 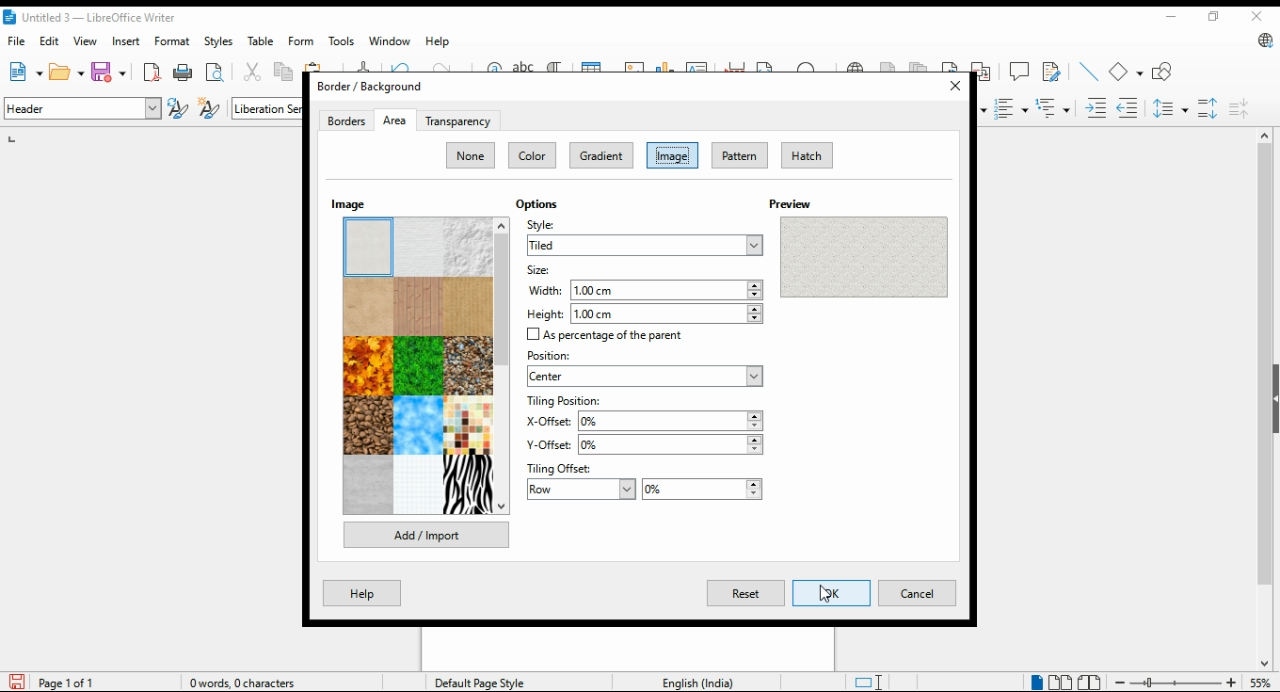 I want to click on insert page break, so click(x=737, y=66).